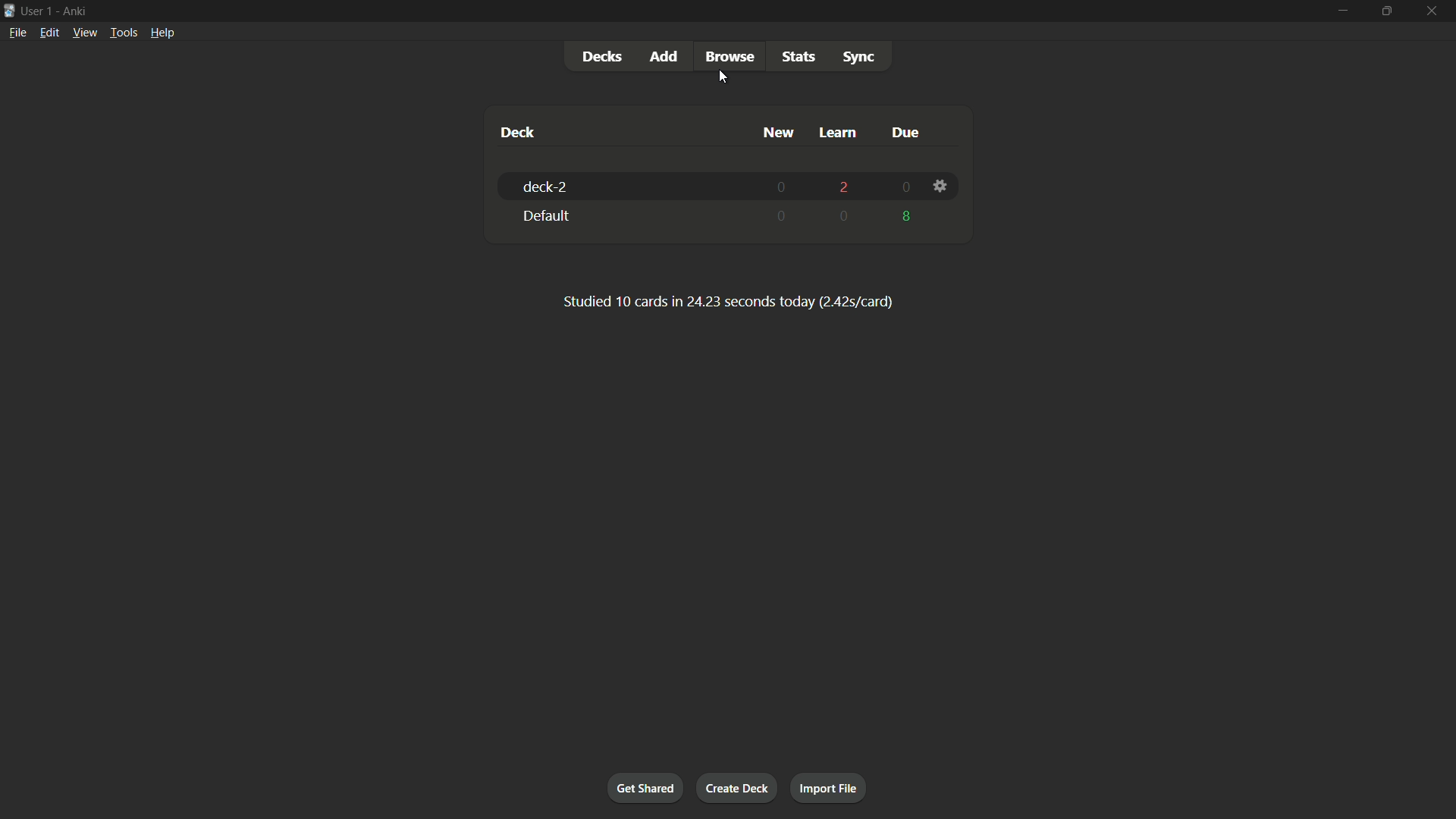  I want to click on Add, so click(666, 57).